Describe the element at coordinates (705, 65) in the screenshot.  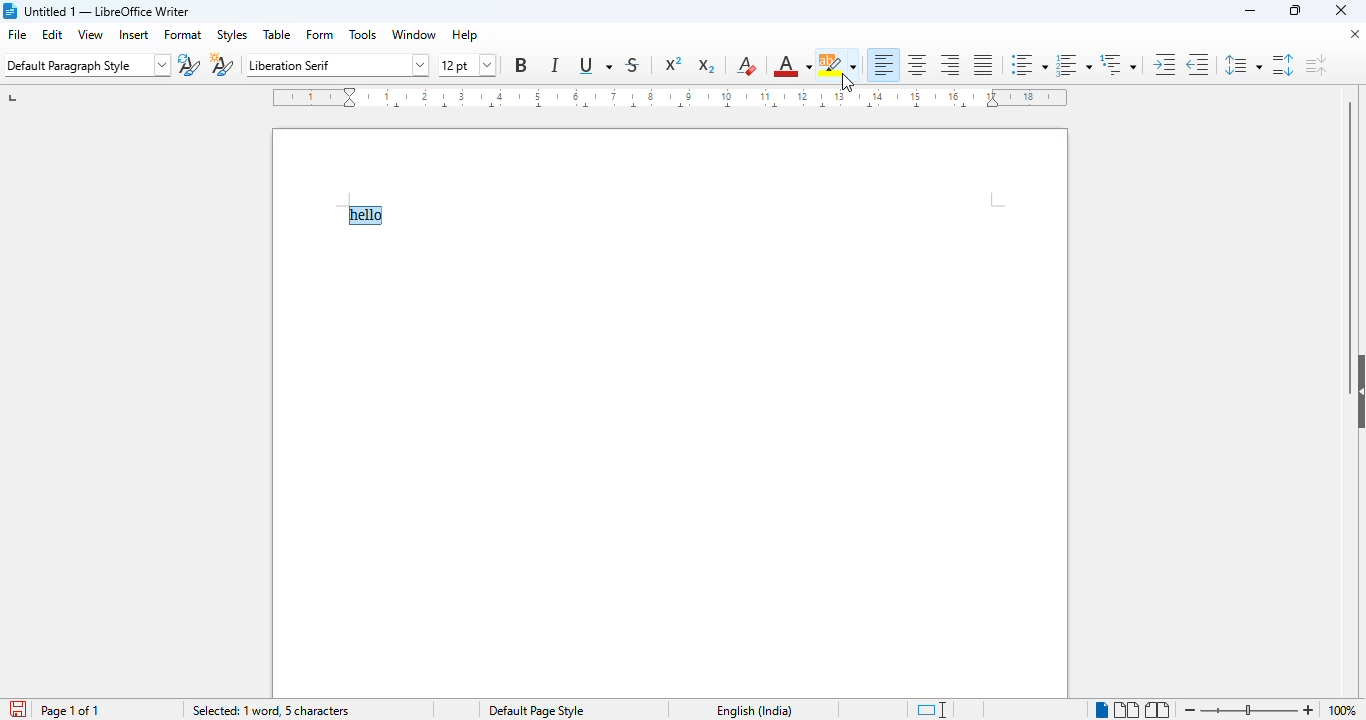
I see `subscript` at that location.